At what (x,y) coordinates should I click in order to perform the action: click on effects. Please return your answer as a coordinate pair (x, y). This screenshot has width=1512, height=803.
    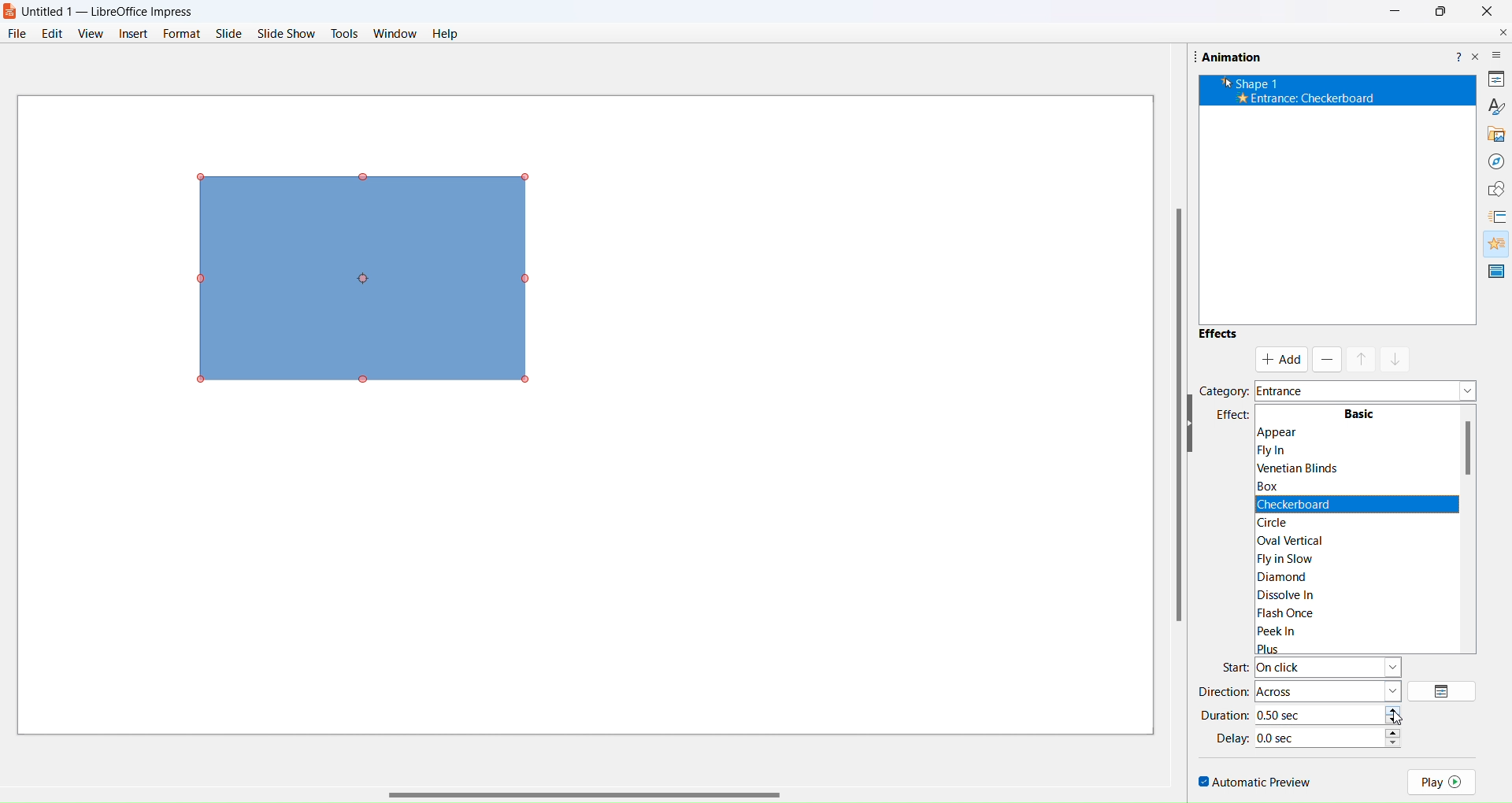
    Looking at the image, I should click on (1218, 337).